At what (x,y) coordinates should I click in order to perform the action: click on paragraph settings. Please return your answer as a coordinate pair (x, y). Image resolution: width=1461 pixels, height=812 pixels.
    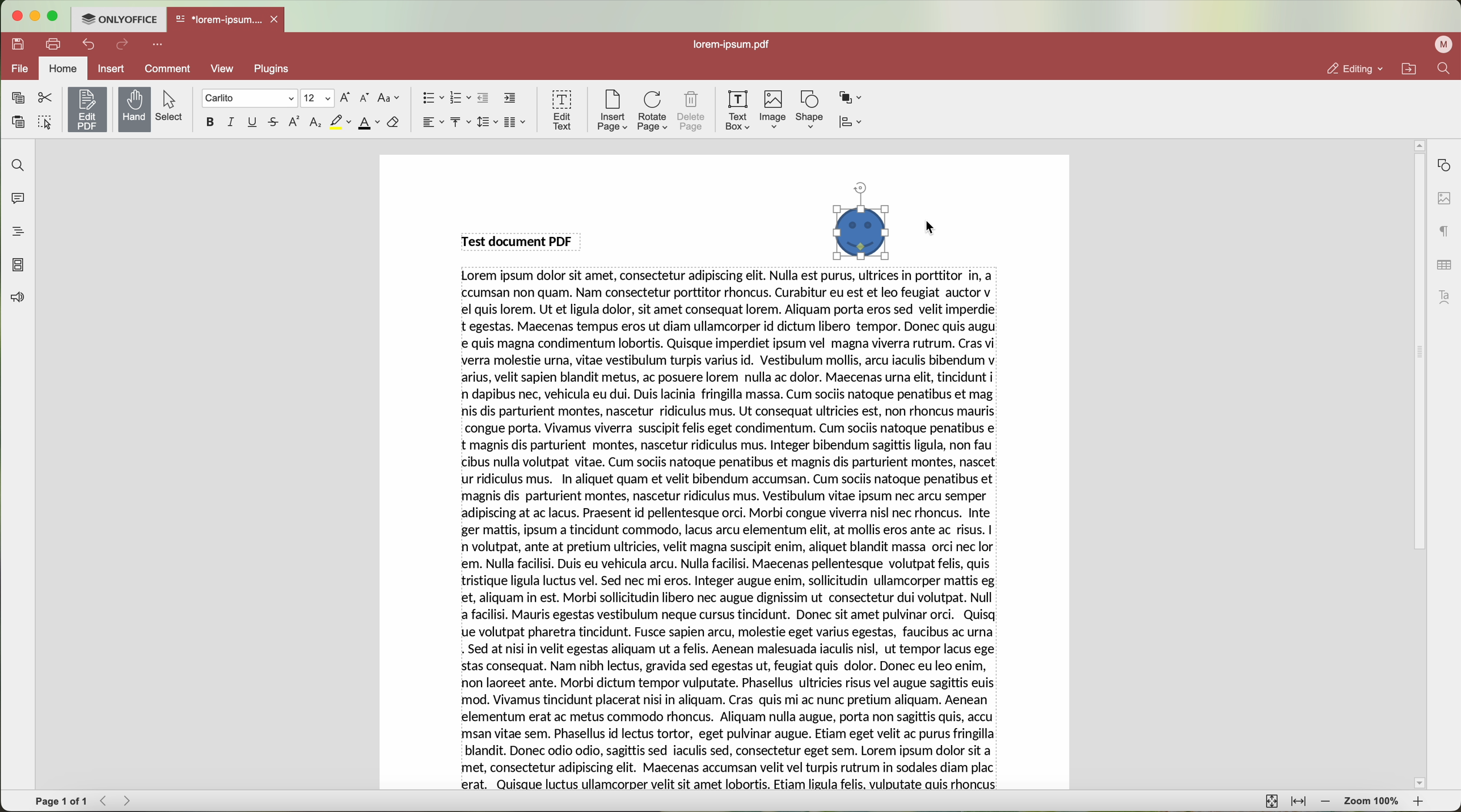
    Looking at the image, I should click on (1441, 232).